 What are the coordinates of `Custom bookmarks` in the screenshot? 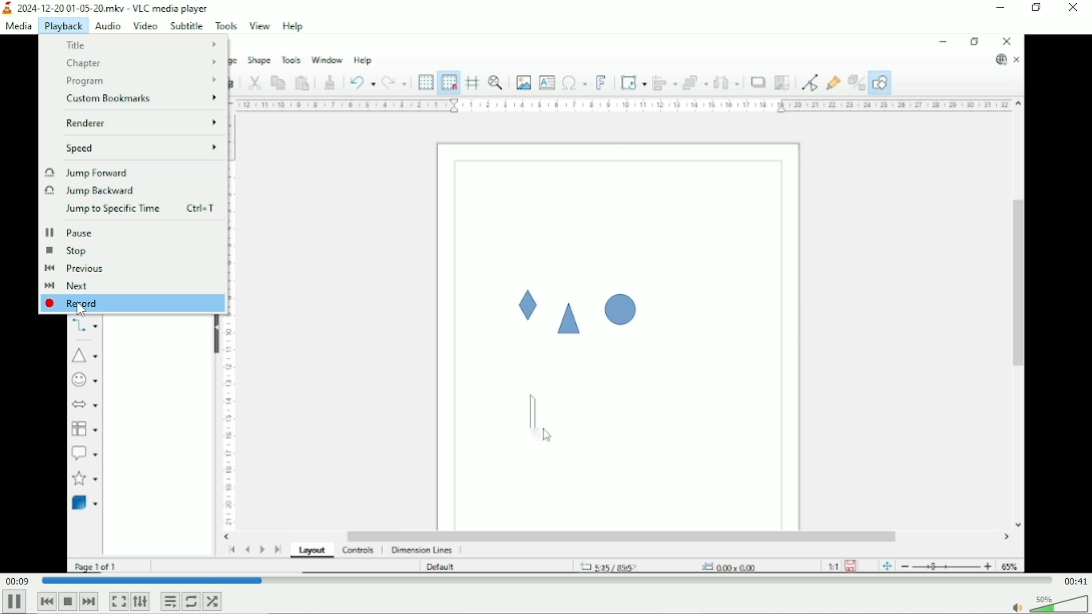 It's located at (141, 99).